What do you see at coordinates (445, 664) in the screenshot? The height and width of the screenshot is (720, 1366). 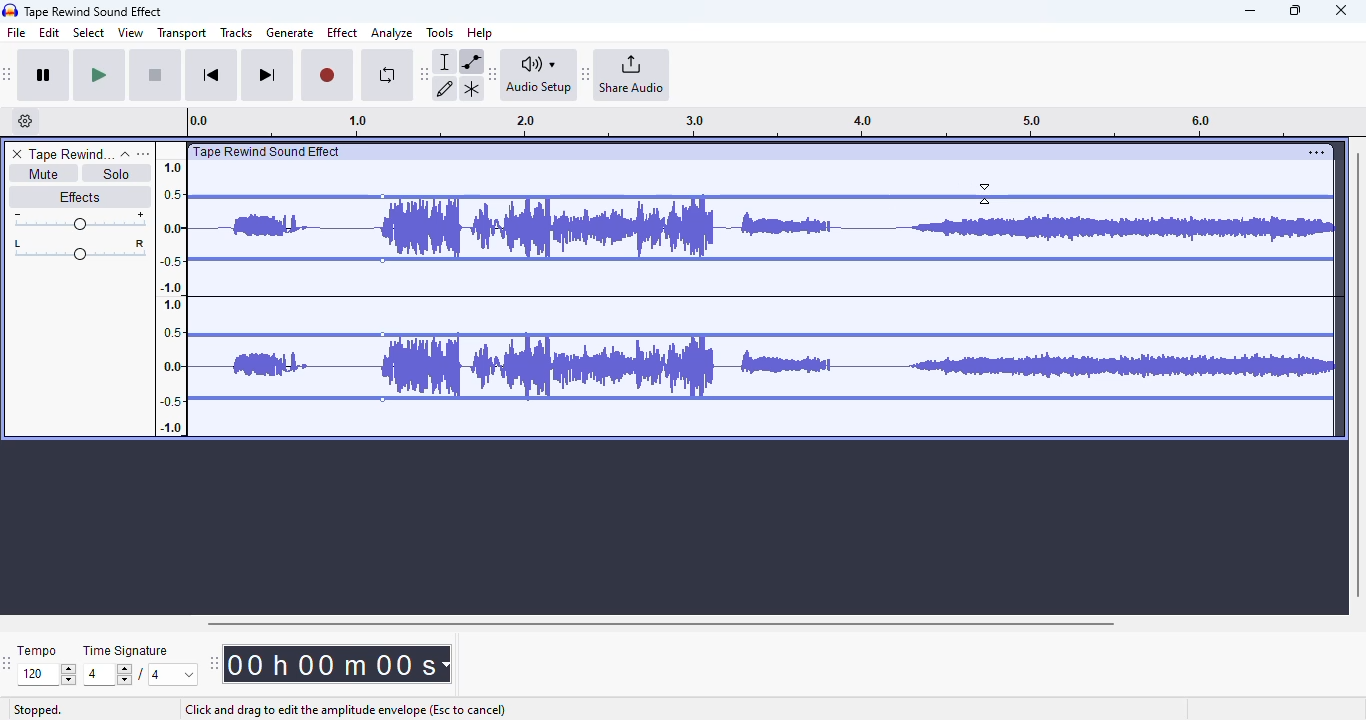 I see `Time measurement options` at bounding box center [445, 664].